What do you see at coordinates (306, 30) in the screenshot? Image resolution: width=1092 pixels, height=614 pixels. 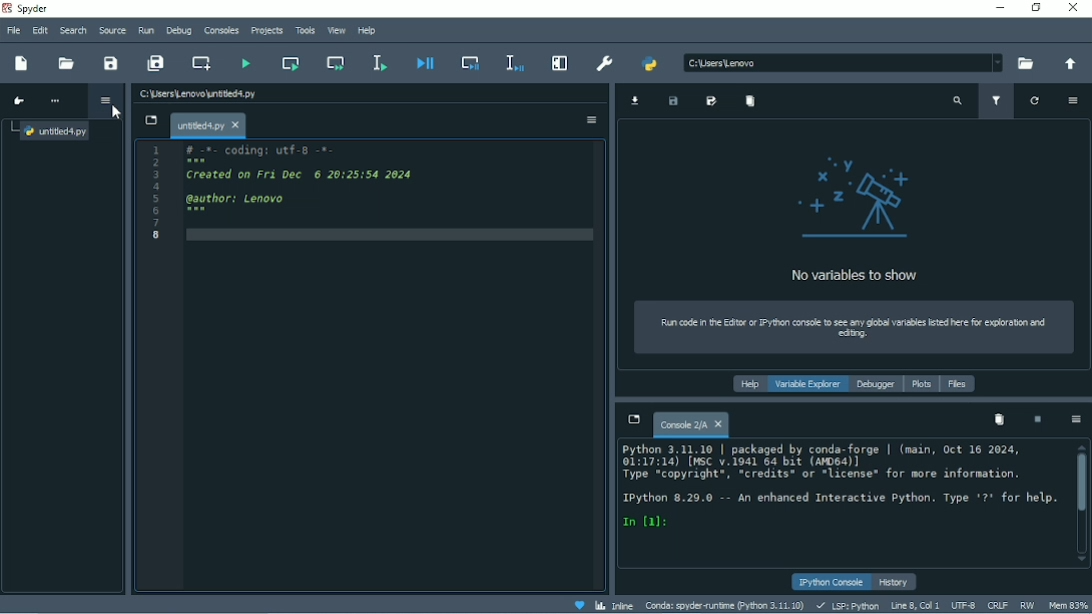 I see `Tools` at bounding box center [306, 30].